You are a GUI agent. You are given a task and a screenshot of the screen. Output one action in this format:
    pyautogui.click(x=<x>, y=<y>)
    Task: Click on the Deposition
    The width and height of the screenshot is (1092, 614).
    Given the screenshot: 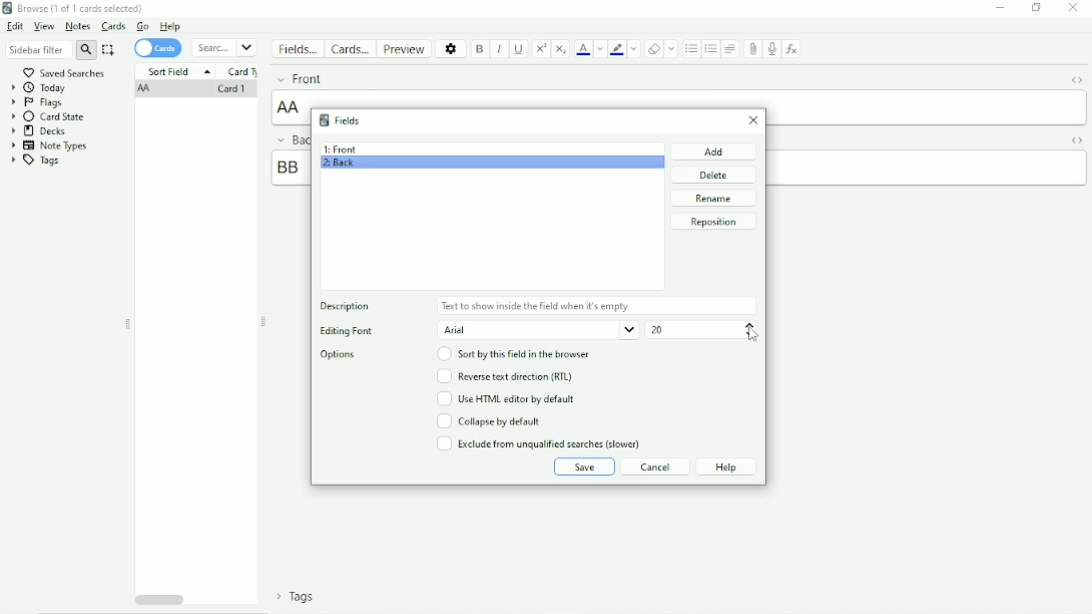 What is the action you would take?
    pyautogui.click(x=350, y=307)
    